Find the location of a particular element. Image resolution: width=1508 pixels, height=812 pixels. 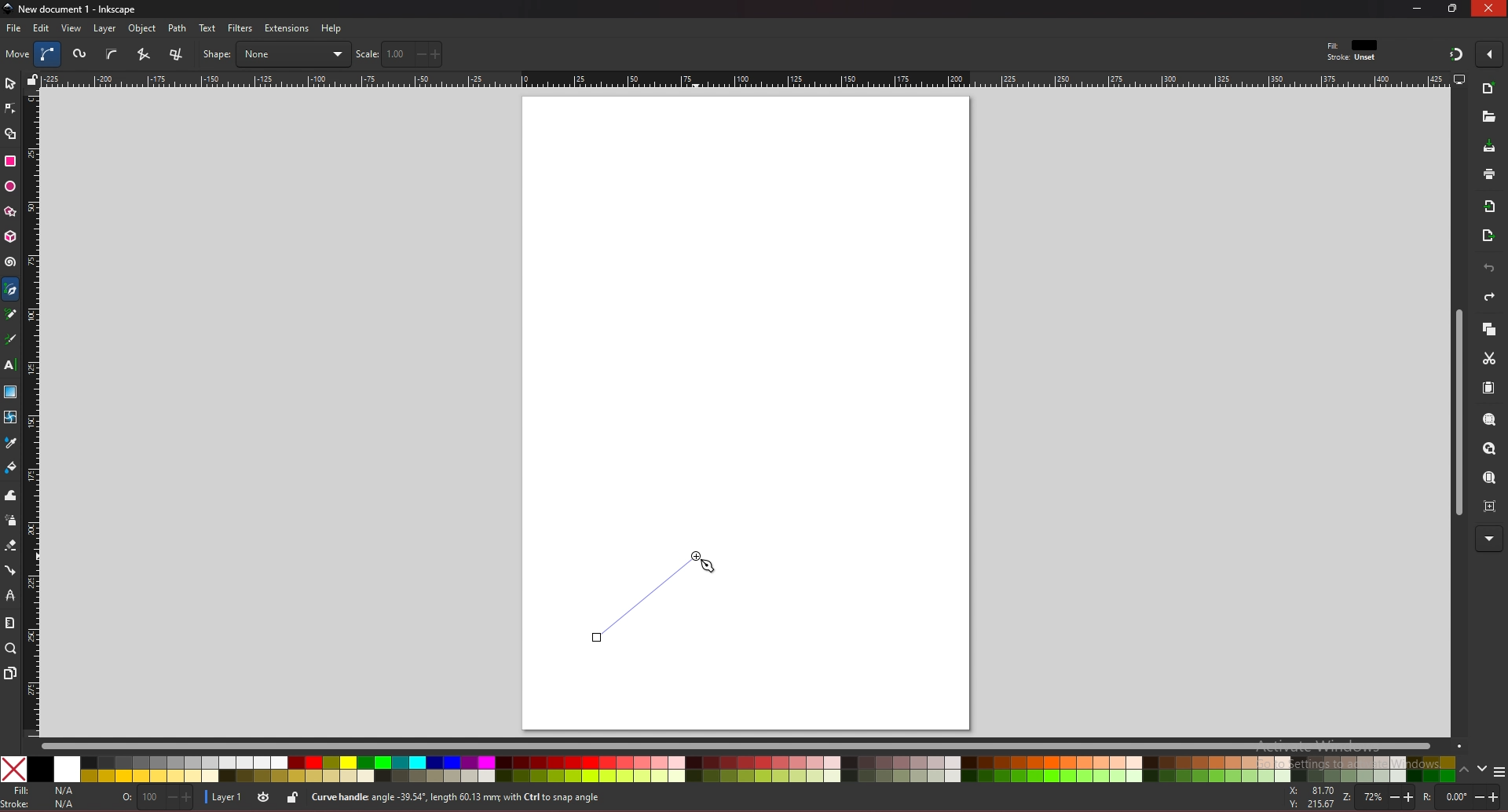

up is located at coordinates (1465, 772).